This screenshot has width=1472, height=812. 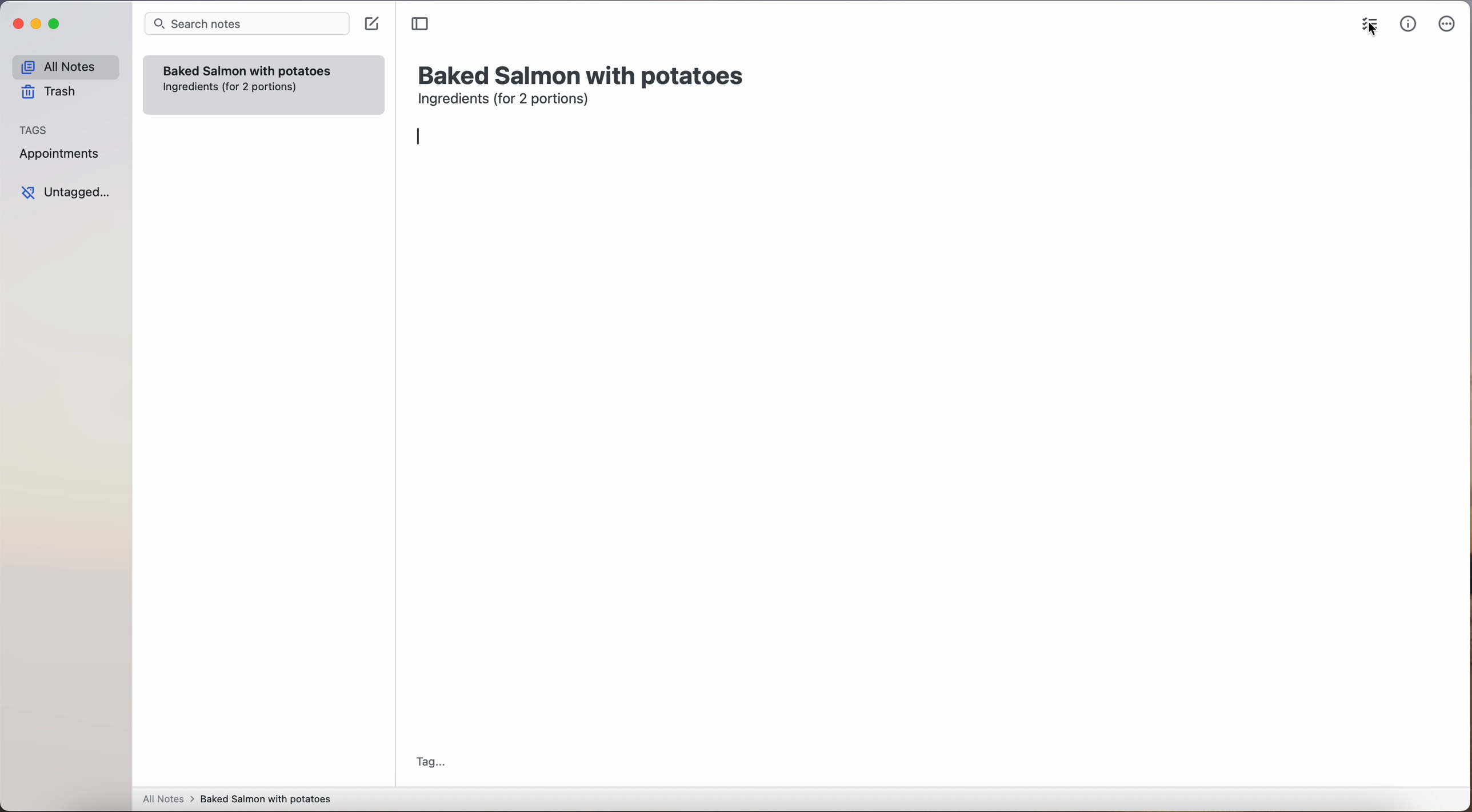 What do you see at coordinates (583, 74) in the screenshot?
I see `title` at bounding box center [583, 74].